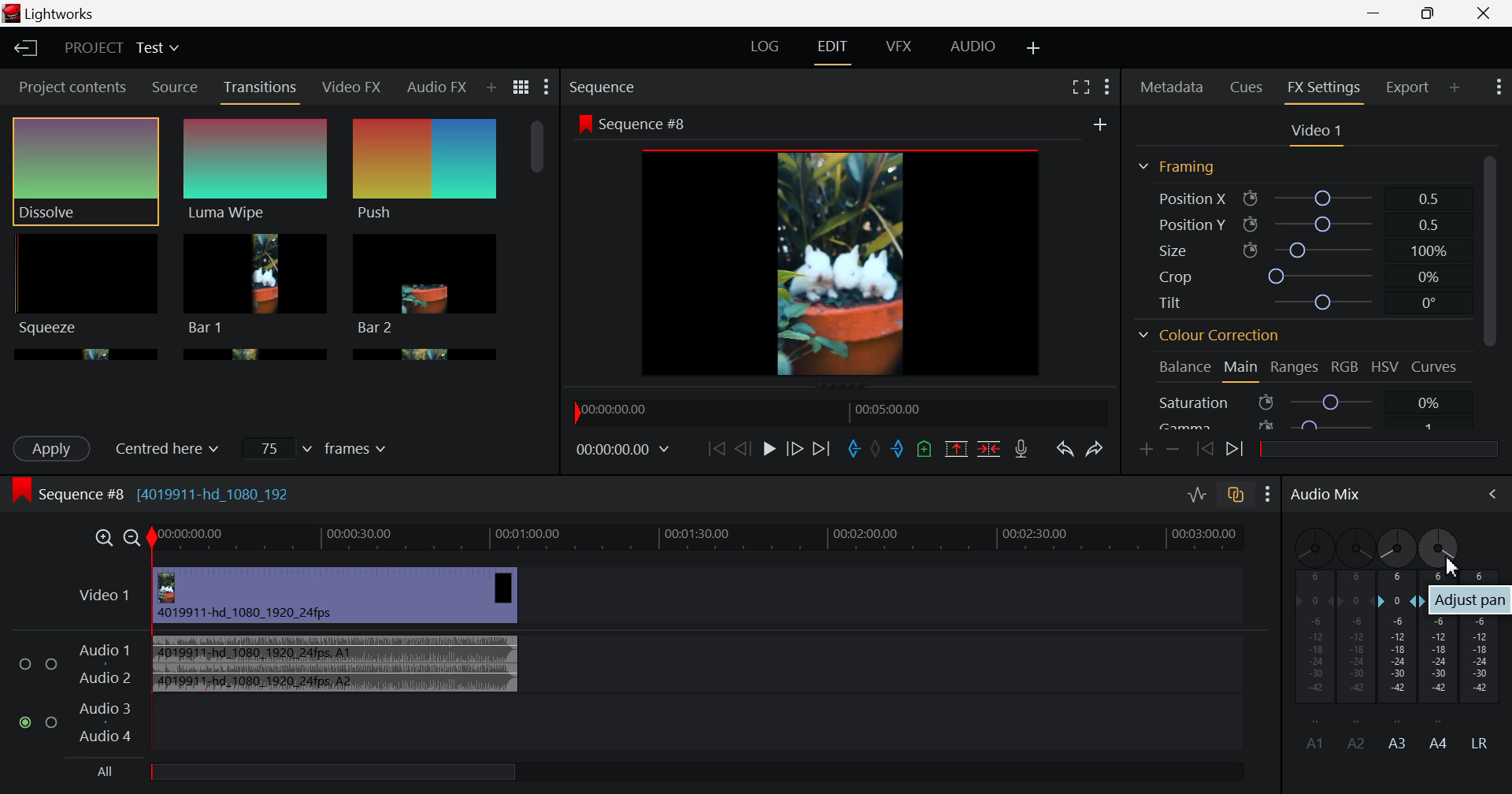  Describe the element at coordinates (425, 284) in the screenshot. I see `Bar 1` at that location.